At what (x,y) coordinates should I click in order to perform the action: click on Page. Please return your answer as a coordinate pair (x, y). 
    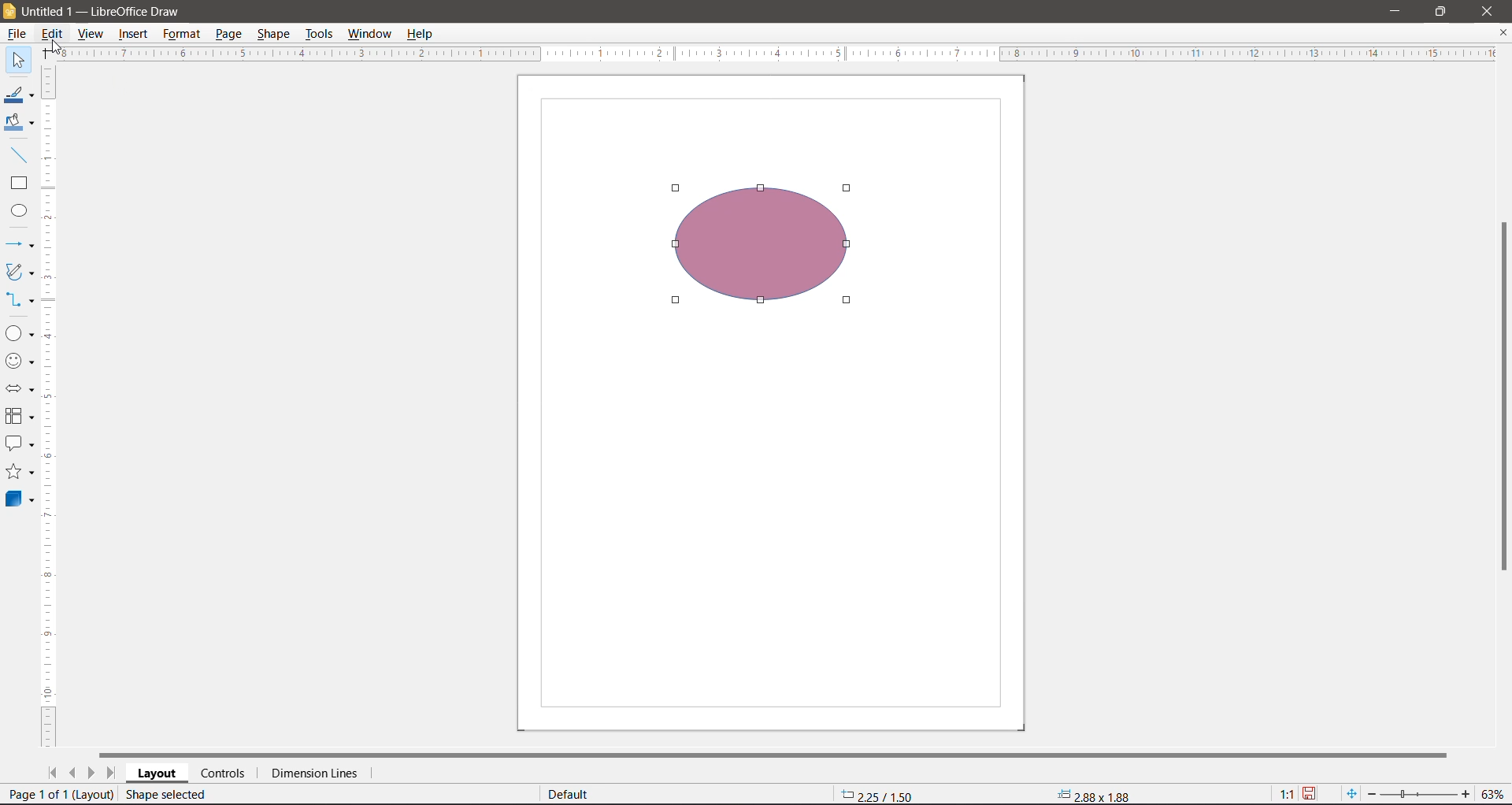
    Looking at the image, I should click on (228, 35).